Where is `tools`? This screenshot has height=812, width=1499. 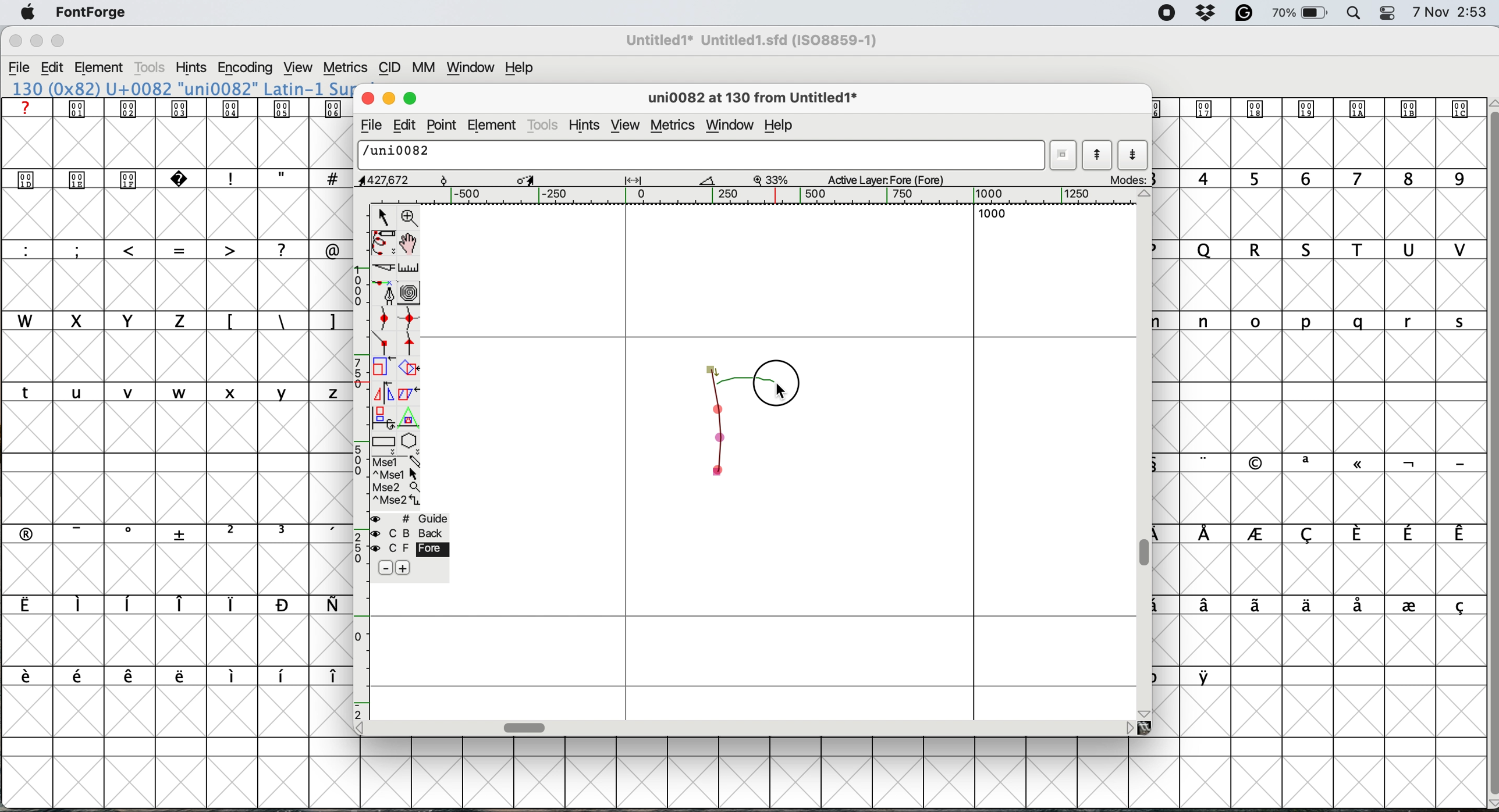 tools is located at coordinates (544, 124).